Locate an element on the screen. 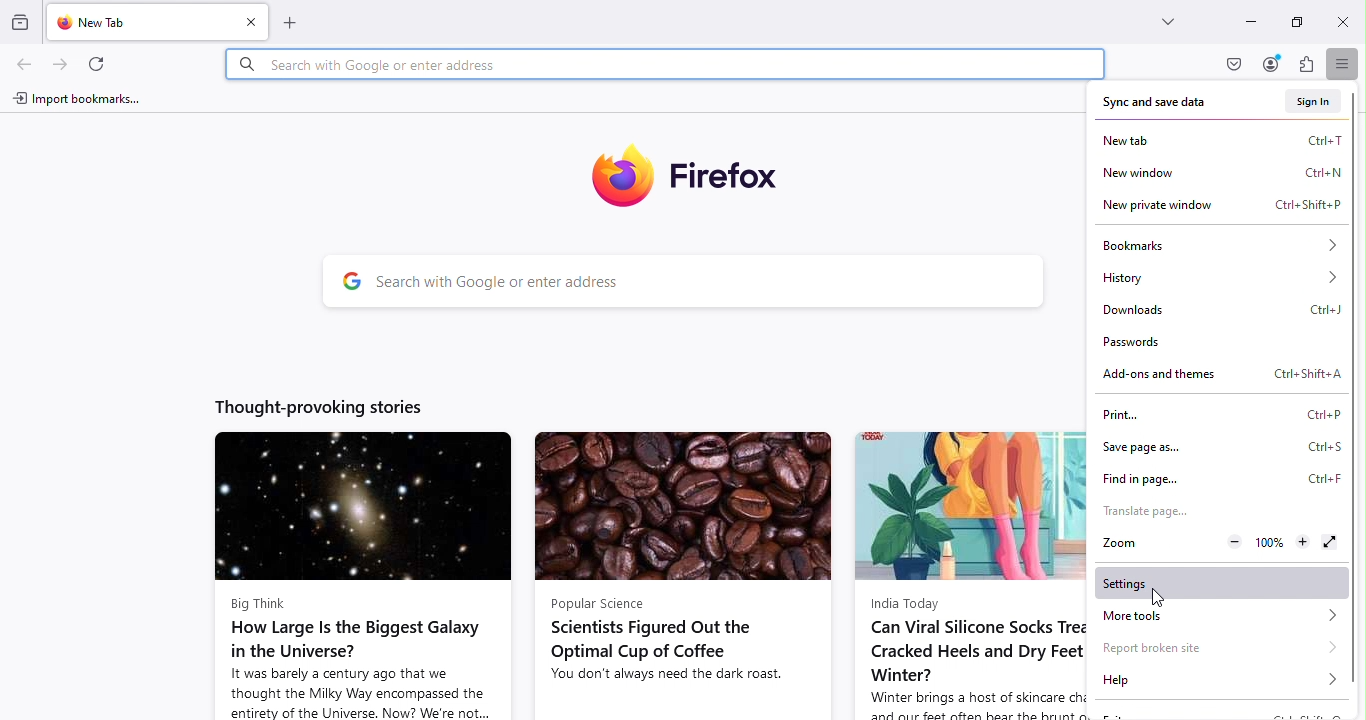 The width and height of the screenshot is (1366, 720). Sign in is located at coordinates (1316, 99).